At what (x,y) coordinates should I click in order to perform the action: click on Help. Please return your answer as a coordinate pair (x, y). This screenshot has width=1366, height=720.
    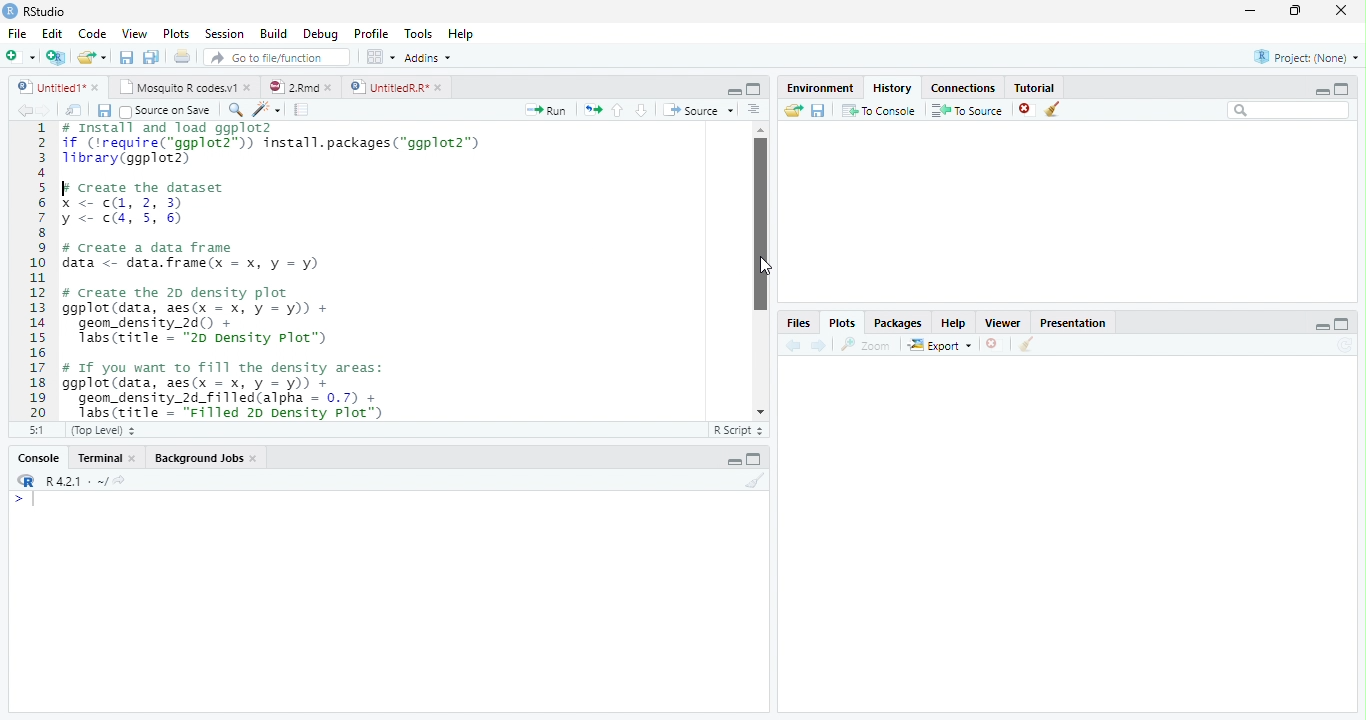
    Looking at the image, I should click on (953, 325).